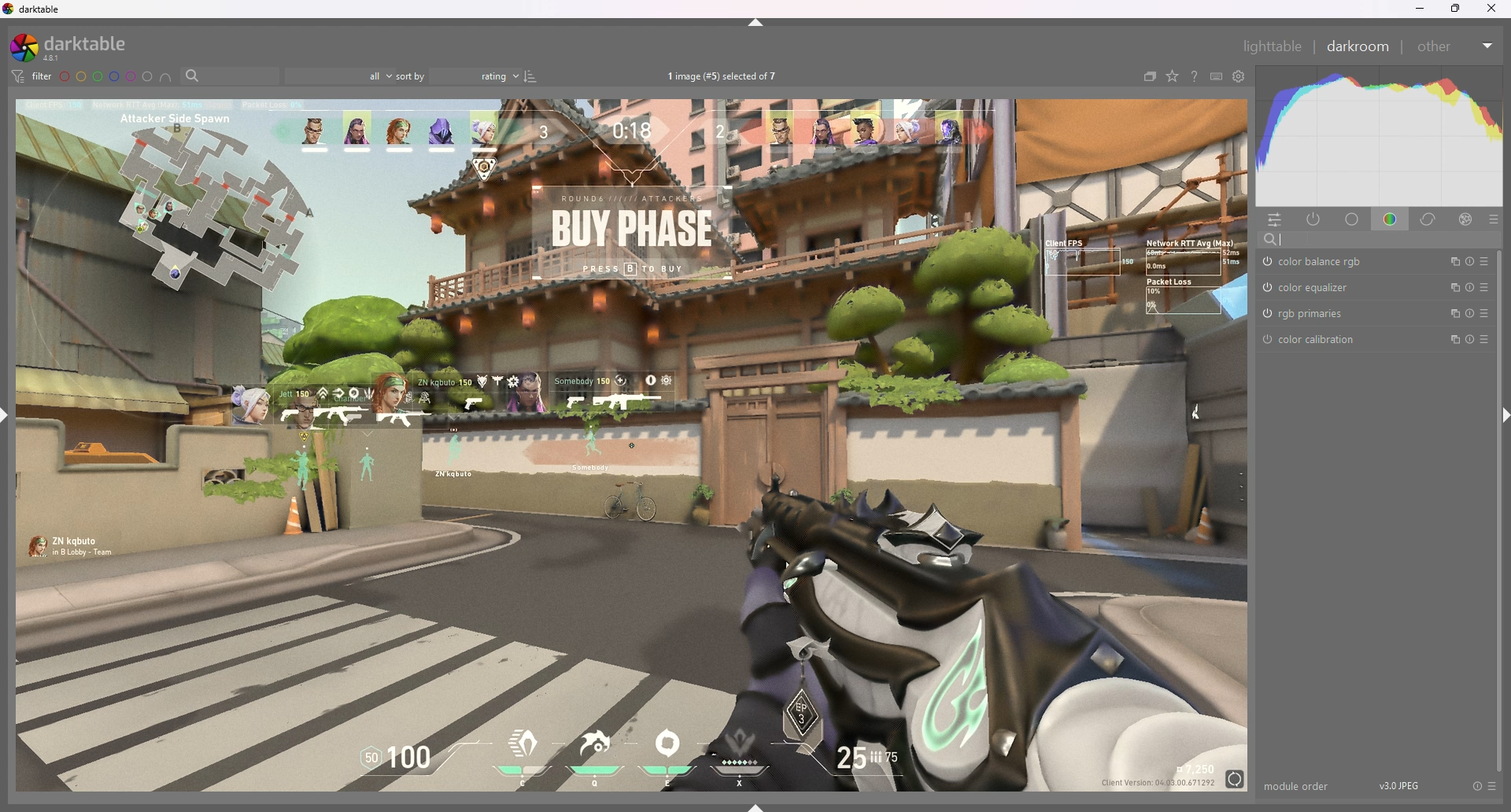 The height and width of the screenshot is (812, 1511). I want to click on resize, so click(1455, 9).